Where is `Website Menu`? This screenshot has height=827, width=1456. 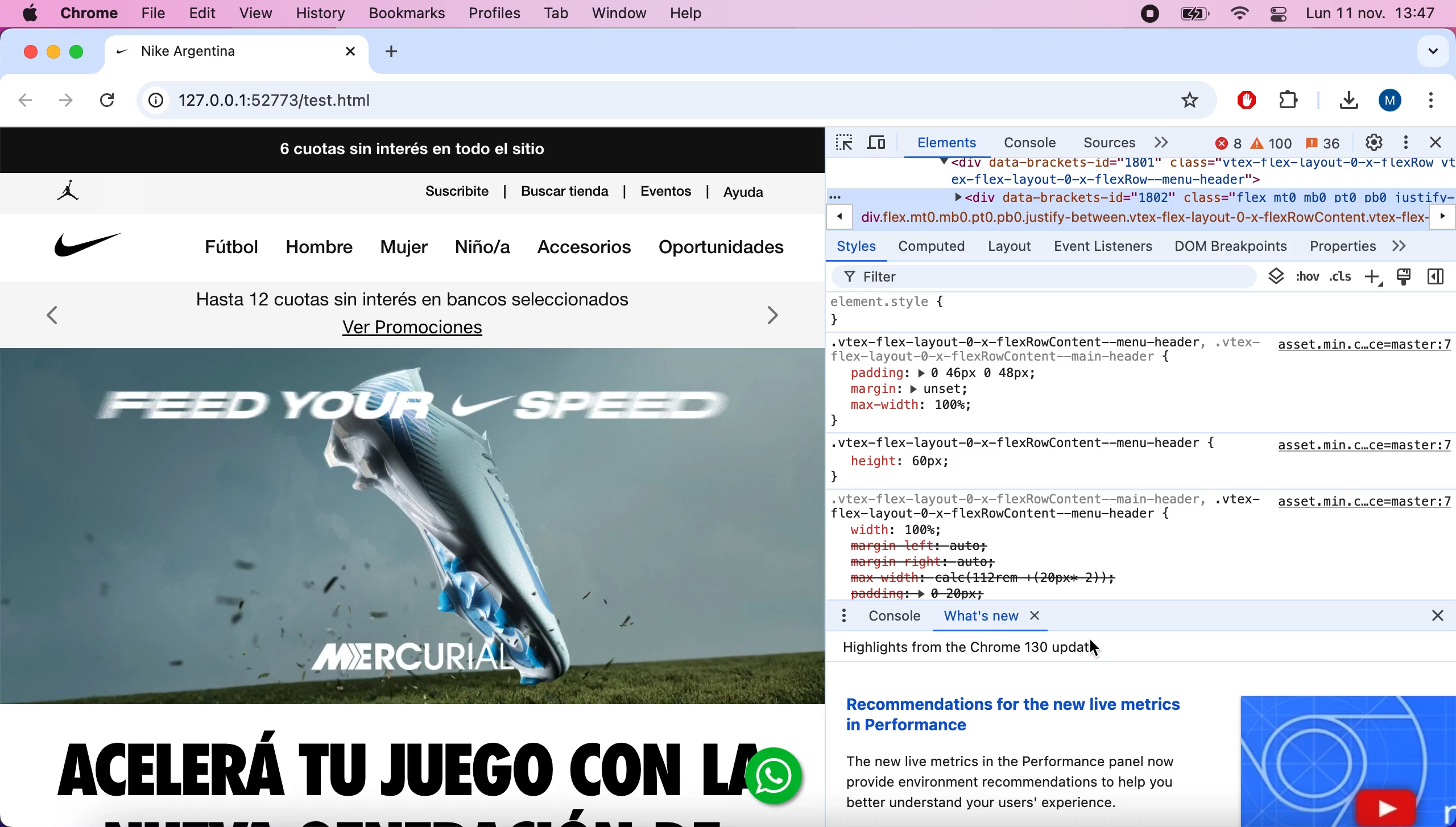 Website Menu is located at coordinates (494, 248).